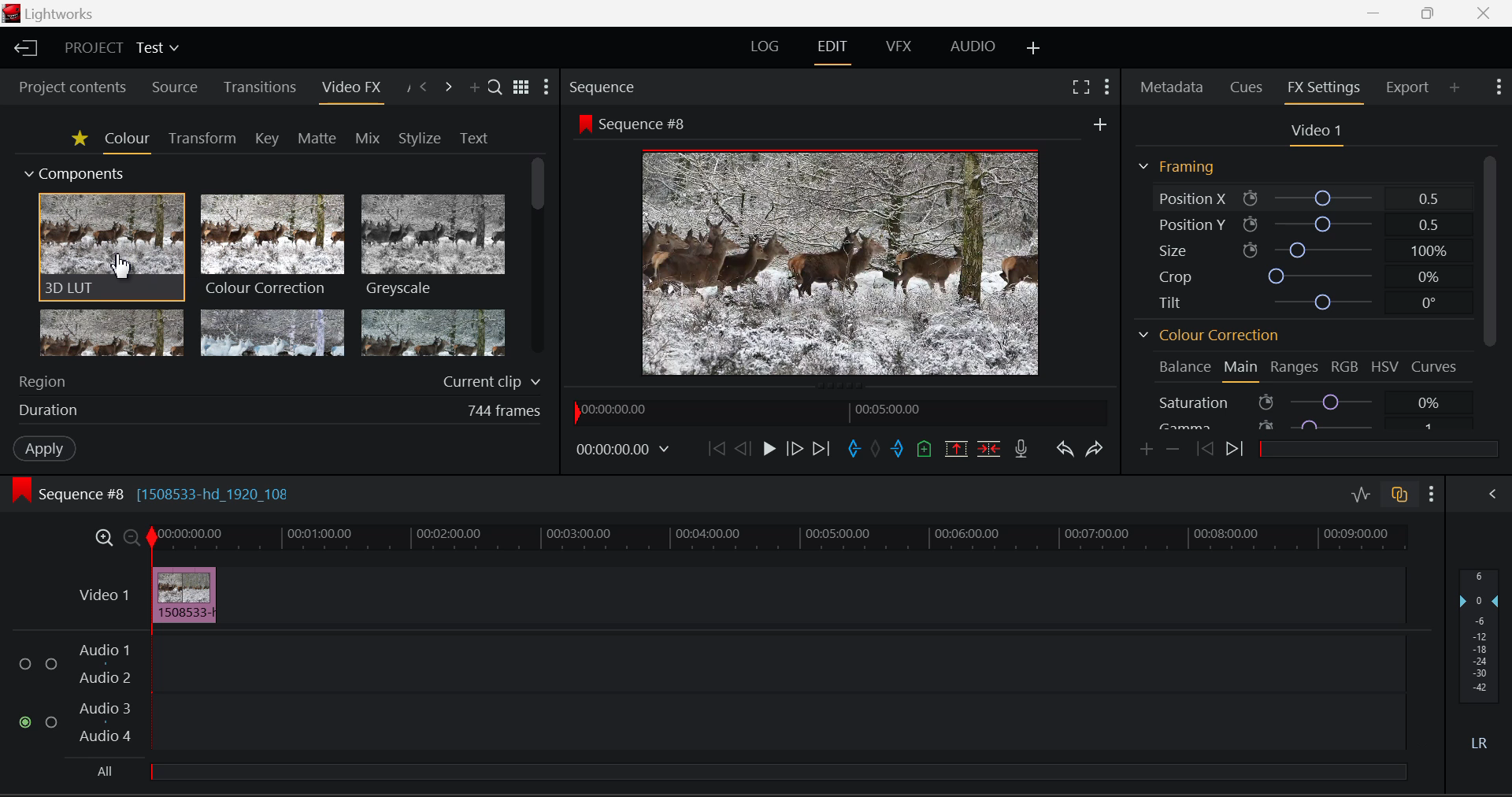 This screenshot has height=797, width=1512. What do you see at coordinates (450, 85) in the screenshot?
I see `Next Panel` at bounding box center [450, 85].